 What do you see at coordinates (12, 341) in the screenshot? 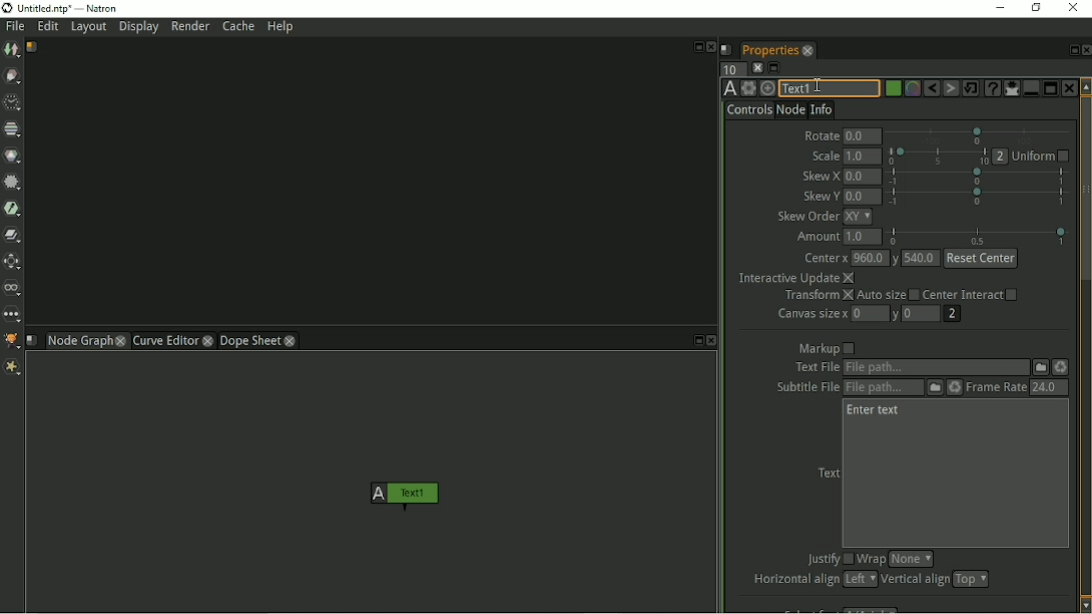
I see `GMIC` at bounding box center [12, 341].